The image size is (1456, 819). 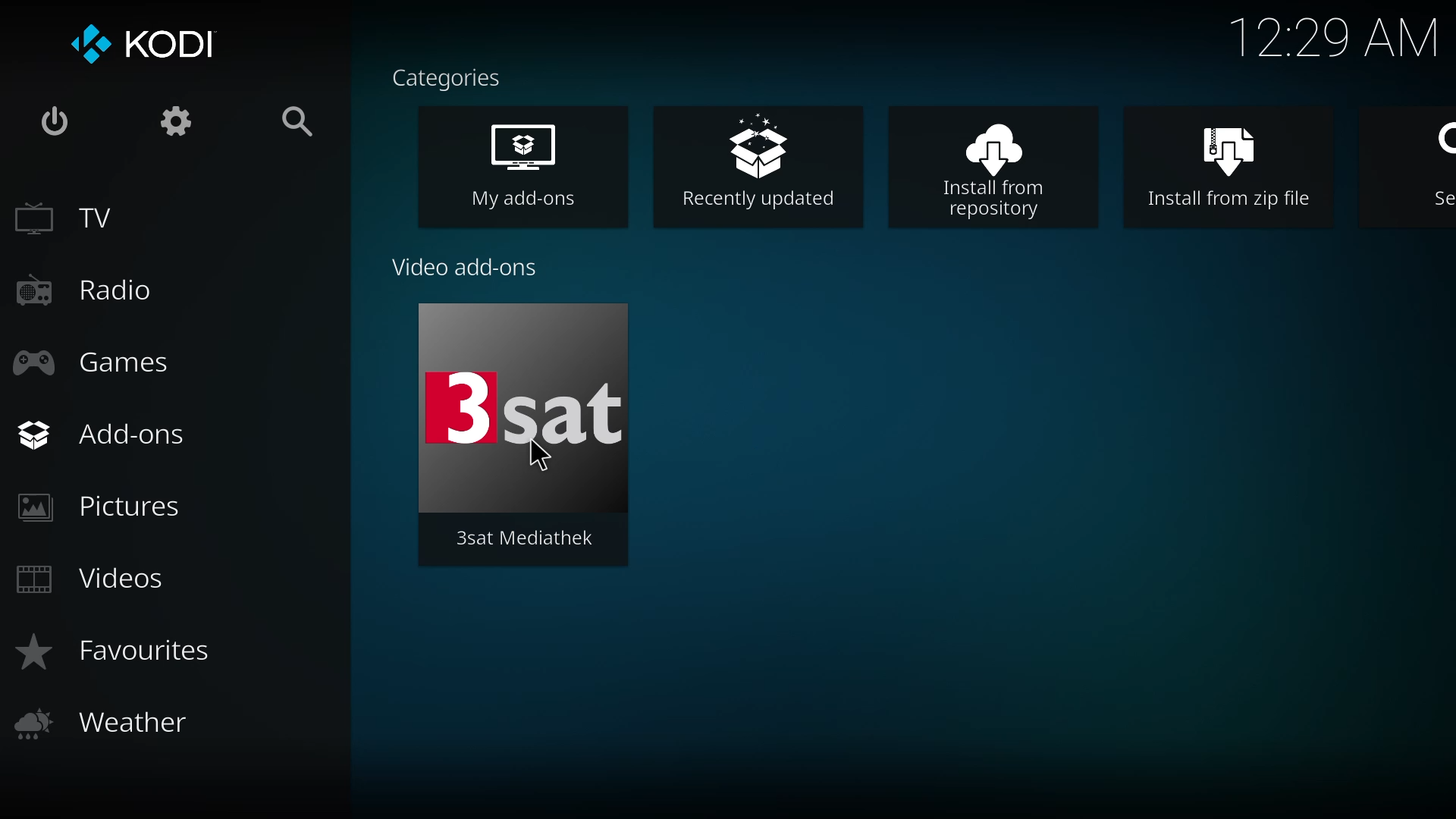 What do you see at coordinates (539, 456) in the screenshot?
I see `cursor` at bounding box center [539, 456].